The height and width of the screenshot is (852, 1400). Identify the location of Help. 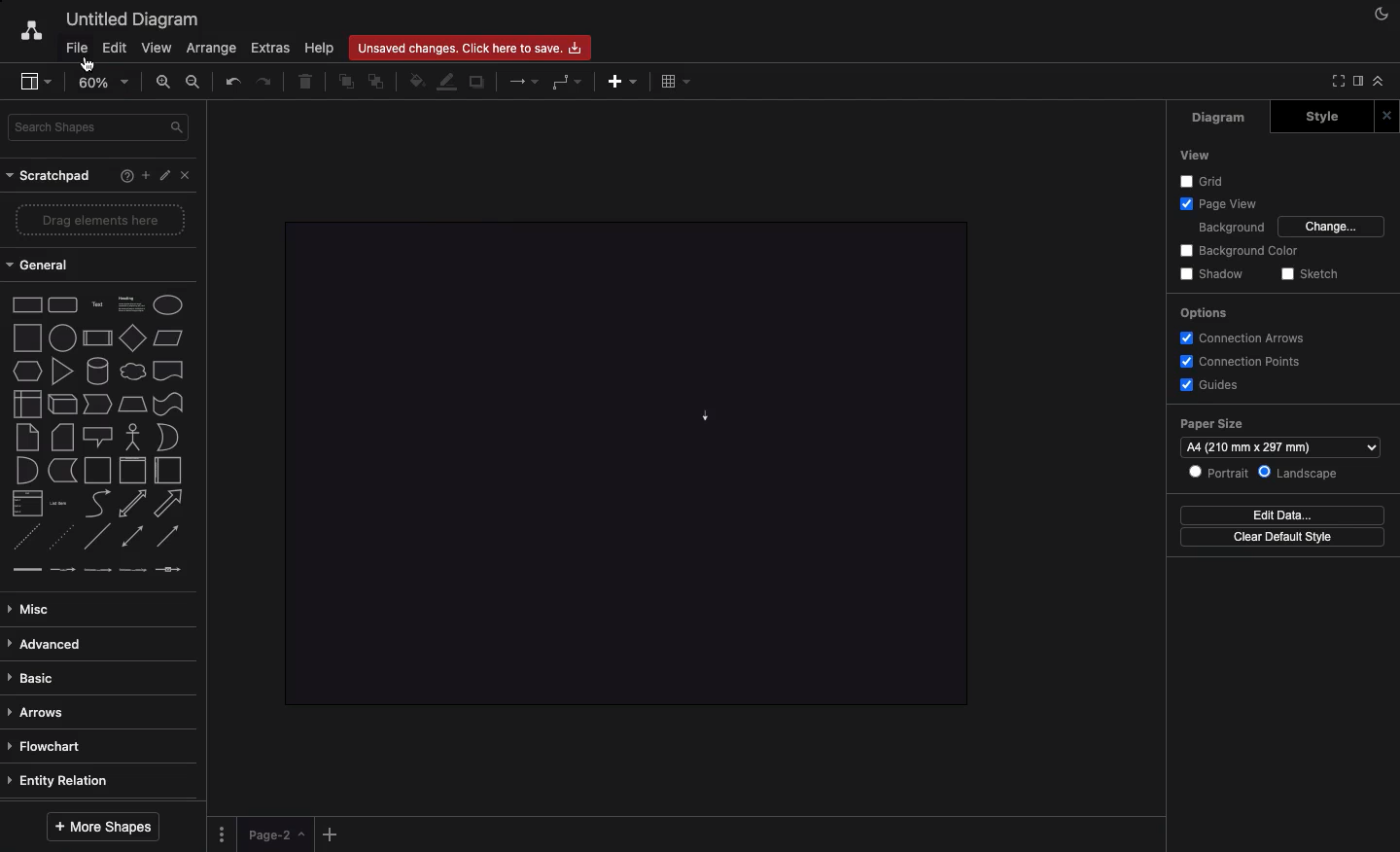
(126, 175).